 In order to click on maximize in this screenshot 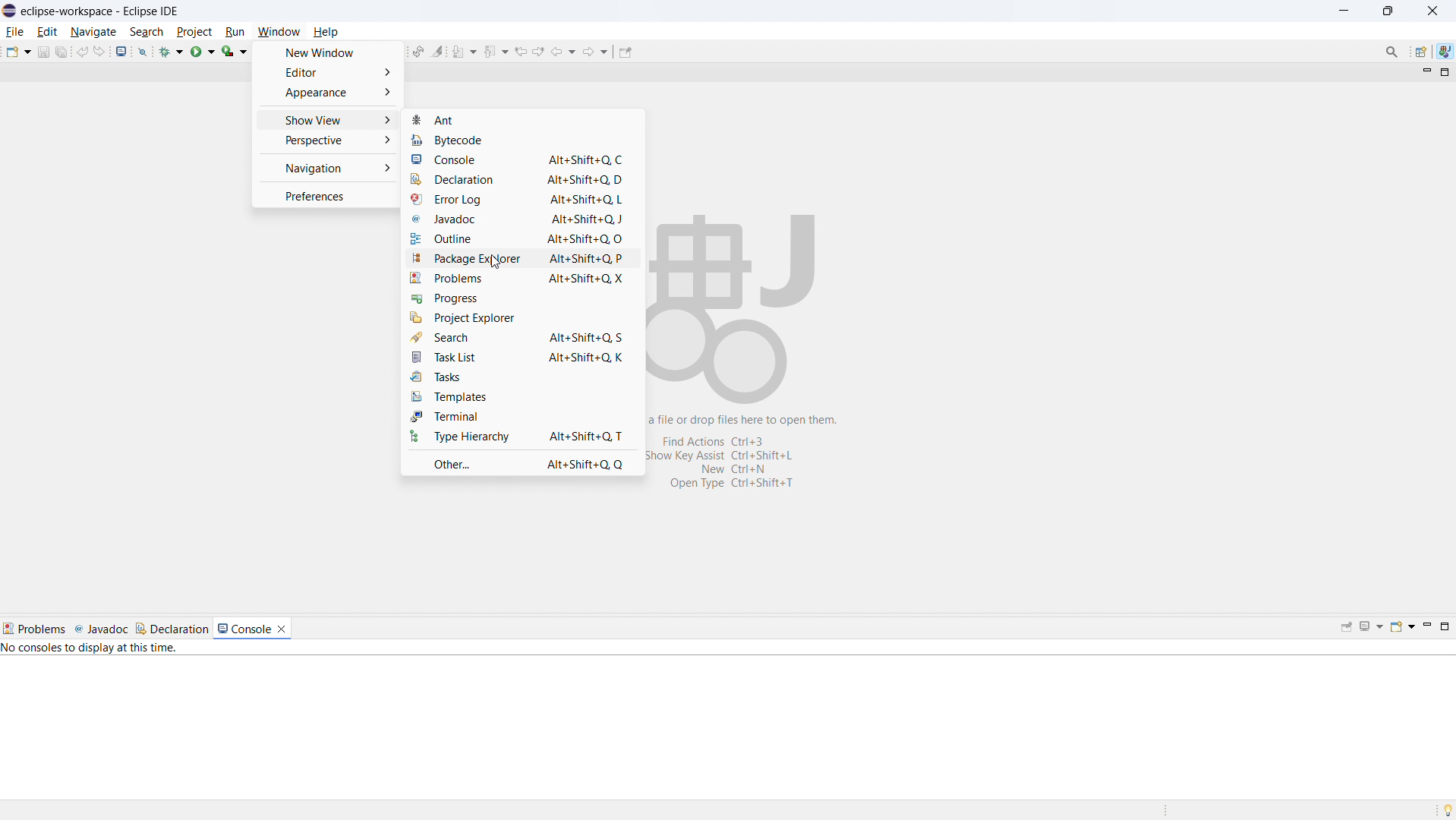, I will do `click(1443, 73)`.